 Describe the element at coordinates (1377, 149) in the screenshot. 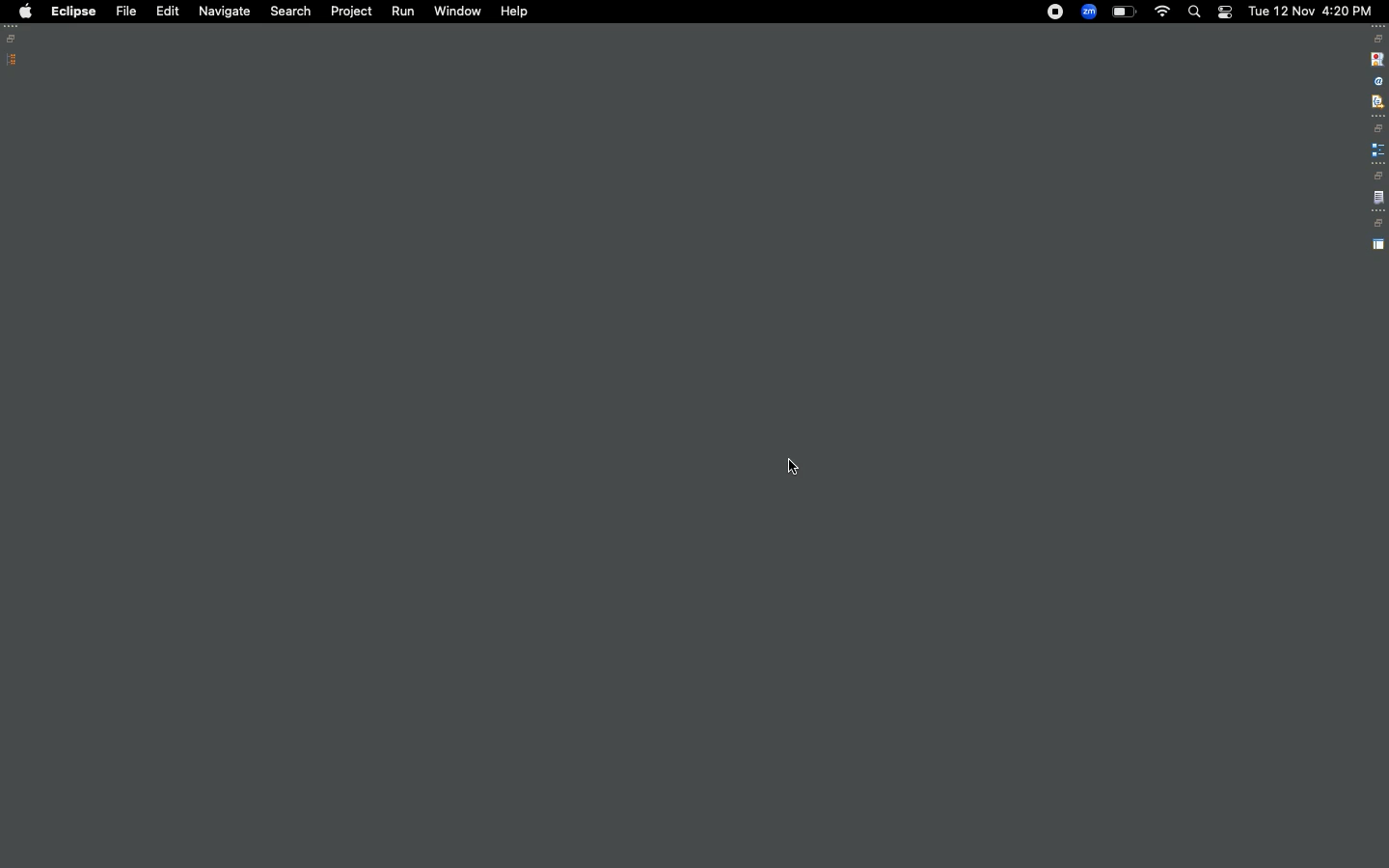

I see `extension point` at that location.